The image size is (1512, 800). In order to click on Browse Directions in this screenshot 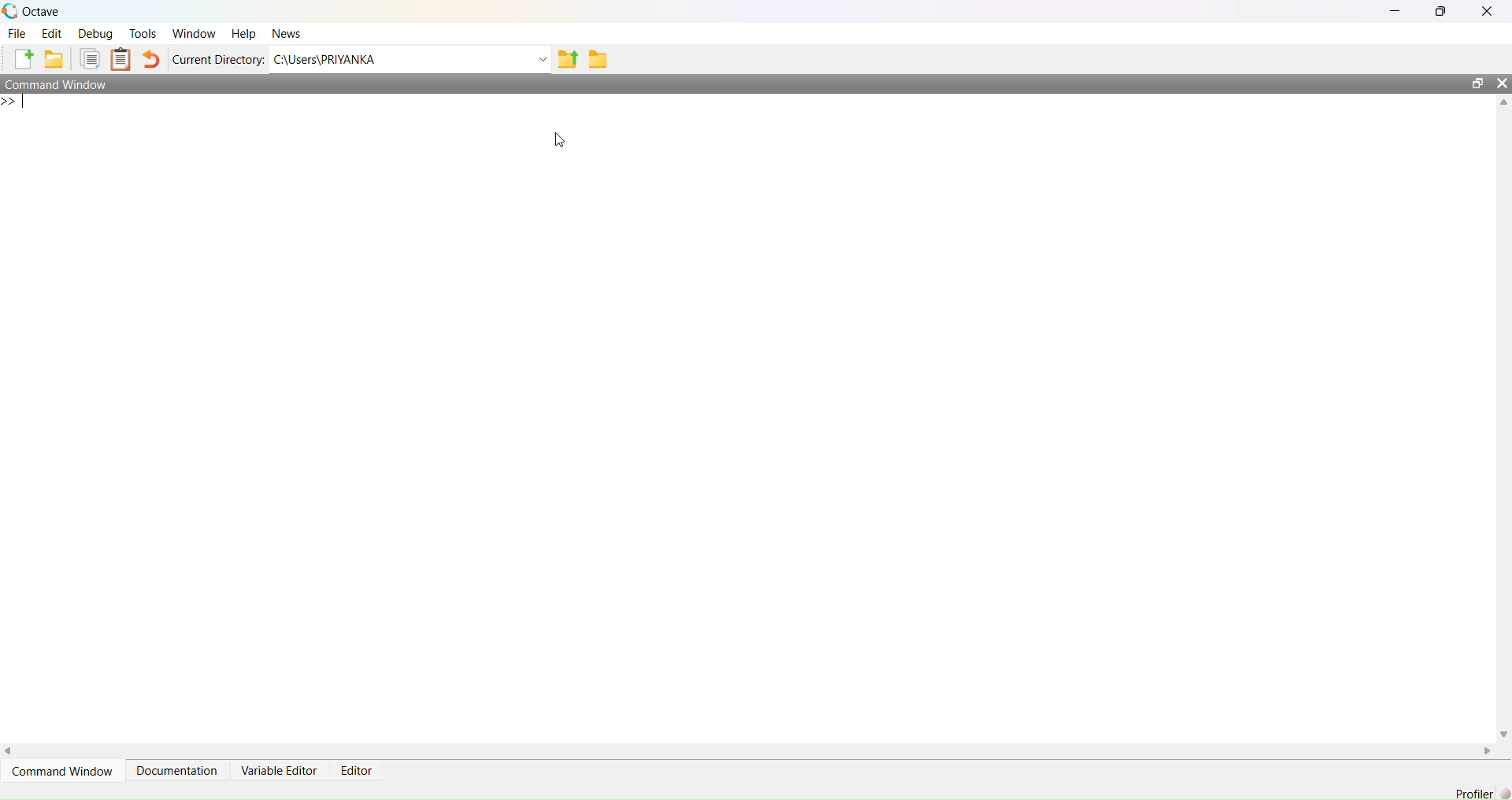, I will do `click(598, 59)`.